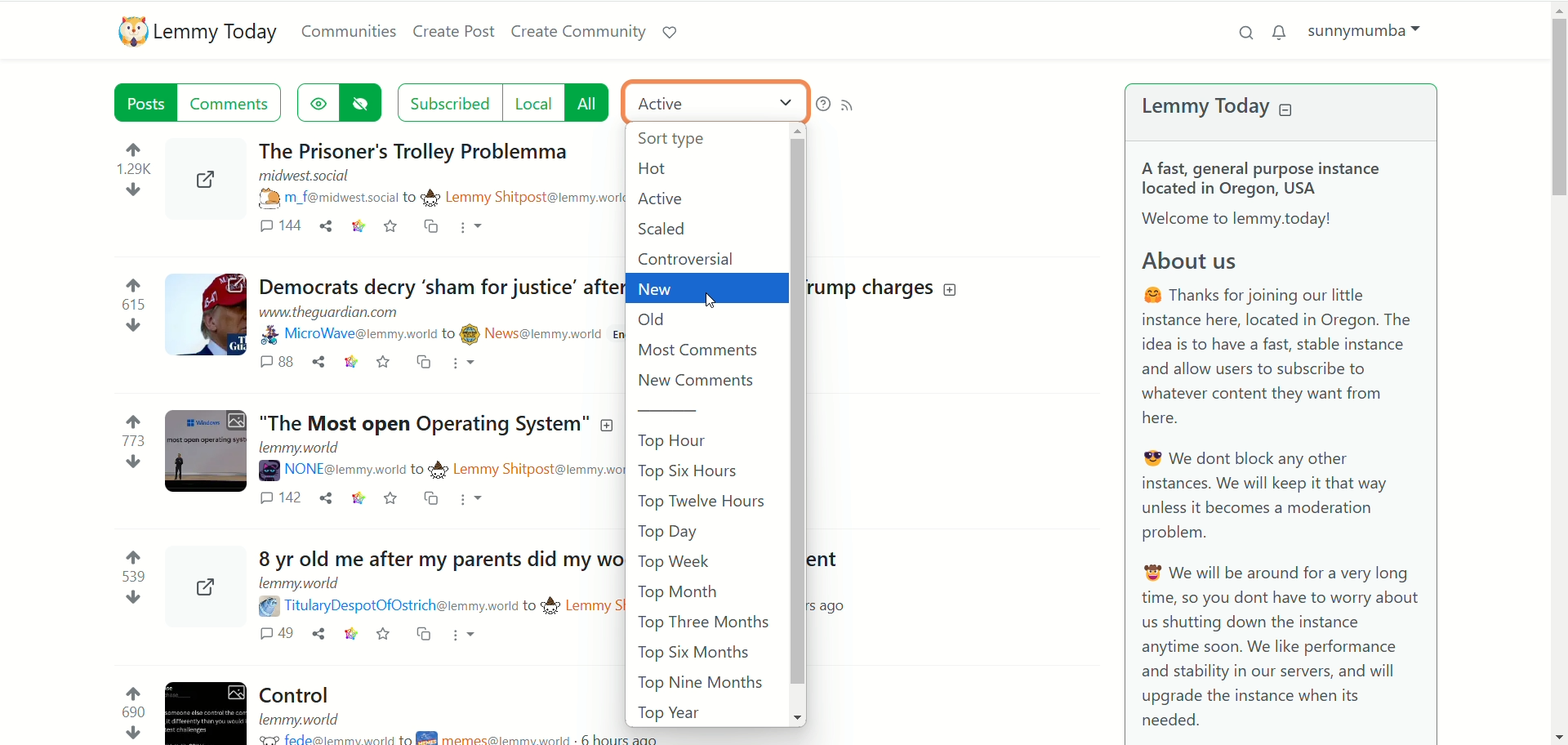 The height and width of the screenshot is (745, 1568). Describe the element at coordinates (465, 633) in the screenshot. I see `More` at that location.